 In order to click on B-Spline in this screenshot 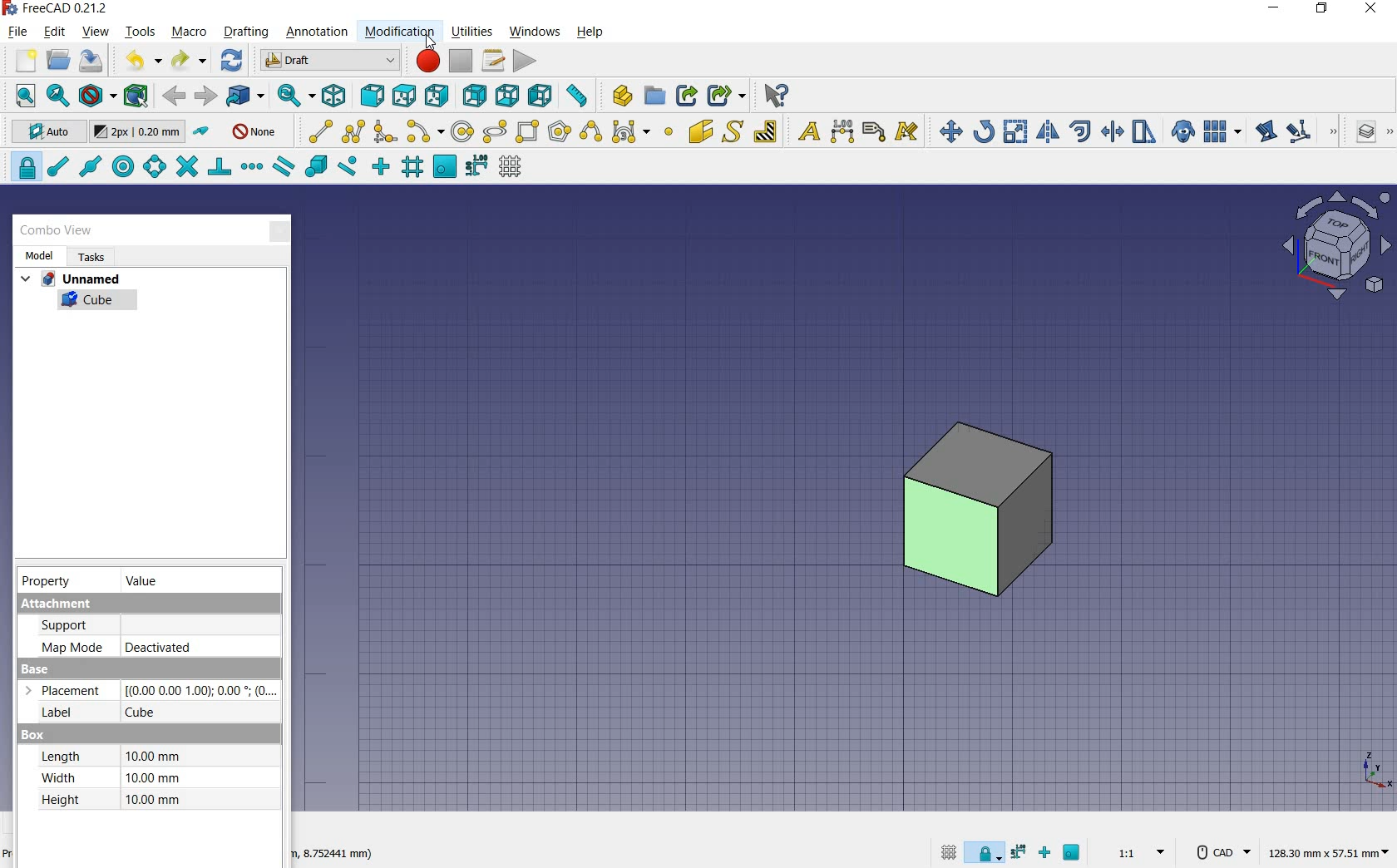, I will do `click(590, 133)`.